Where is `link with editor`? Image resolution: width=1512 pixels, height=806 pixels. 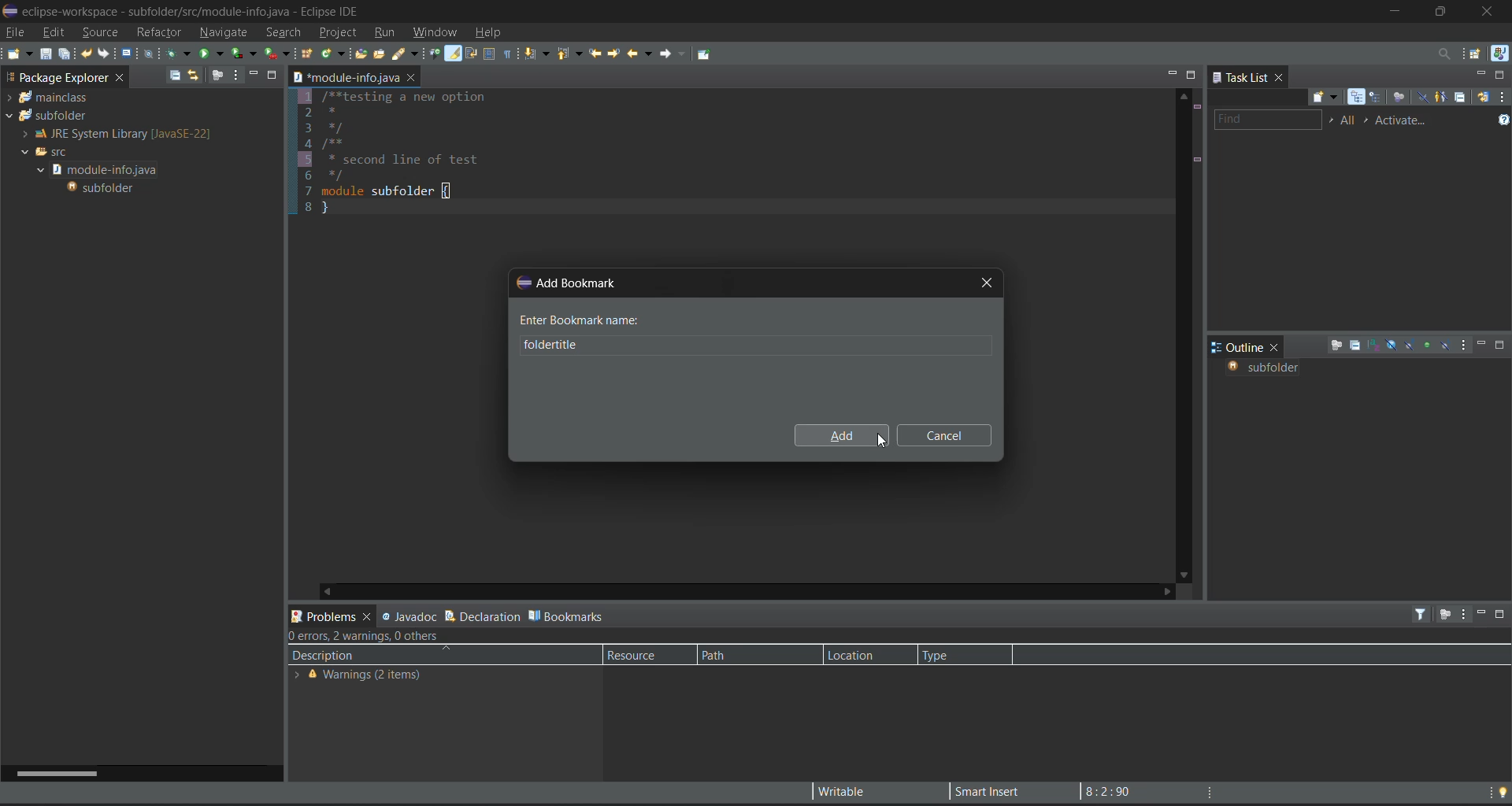
link with editor is located at coordinates (195, 76).